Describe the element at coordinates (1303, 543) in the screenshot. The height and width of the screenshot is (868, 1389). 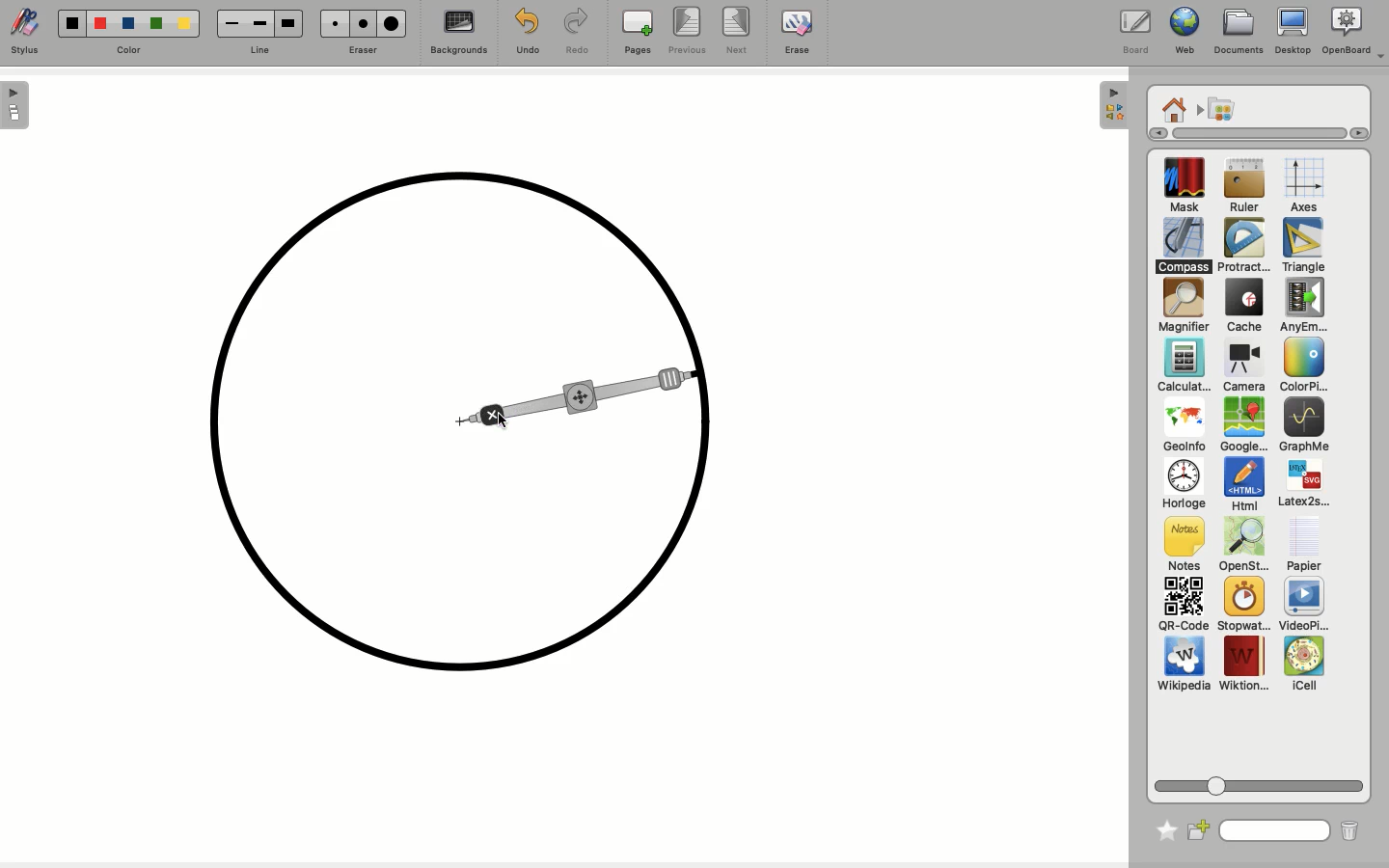
I see `Papier` at that location.